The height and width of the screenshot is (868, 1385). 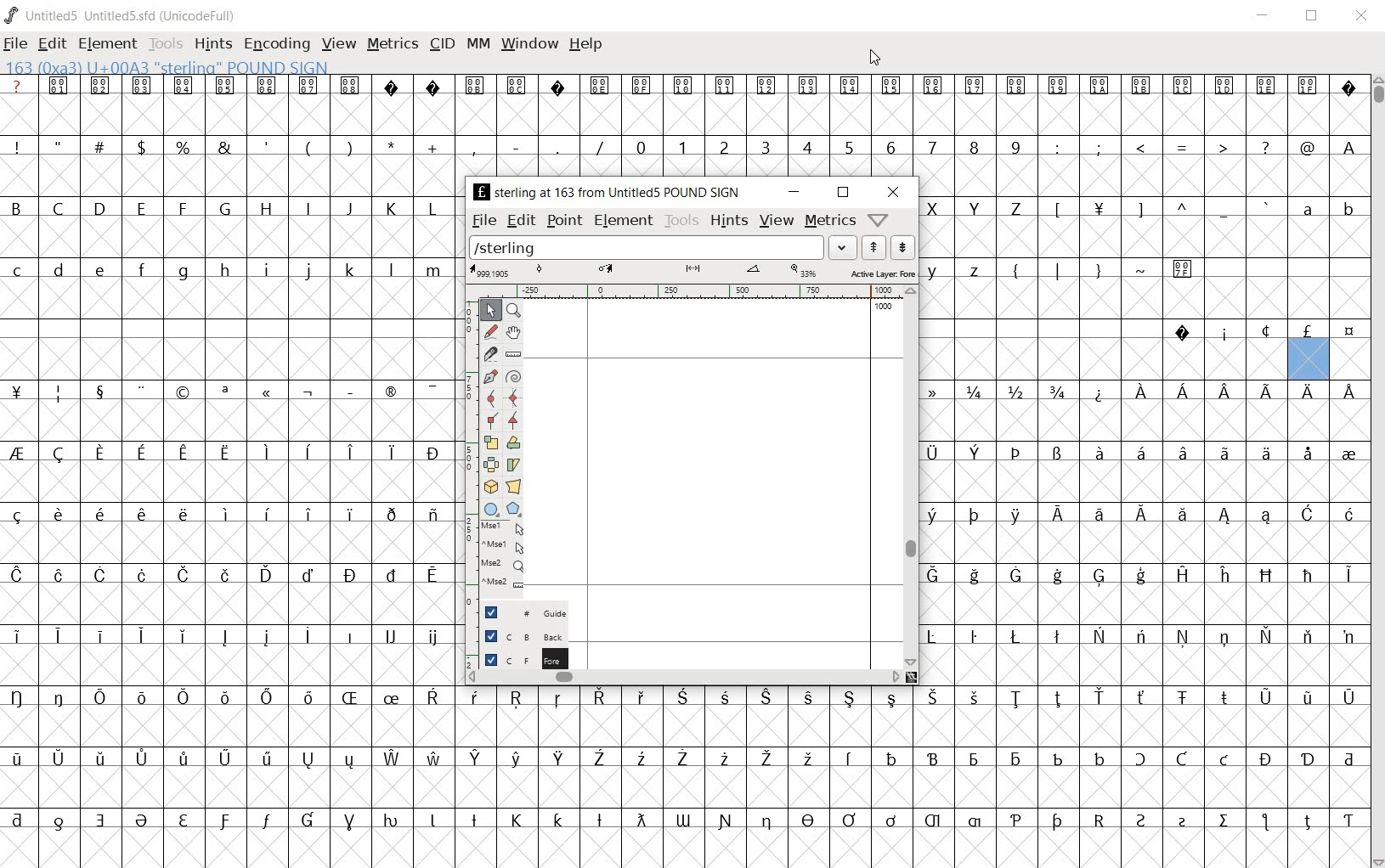 I want to click on Symbol, so click(x=140, y=758).